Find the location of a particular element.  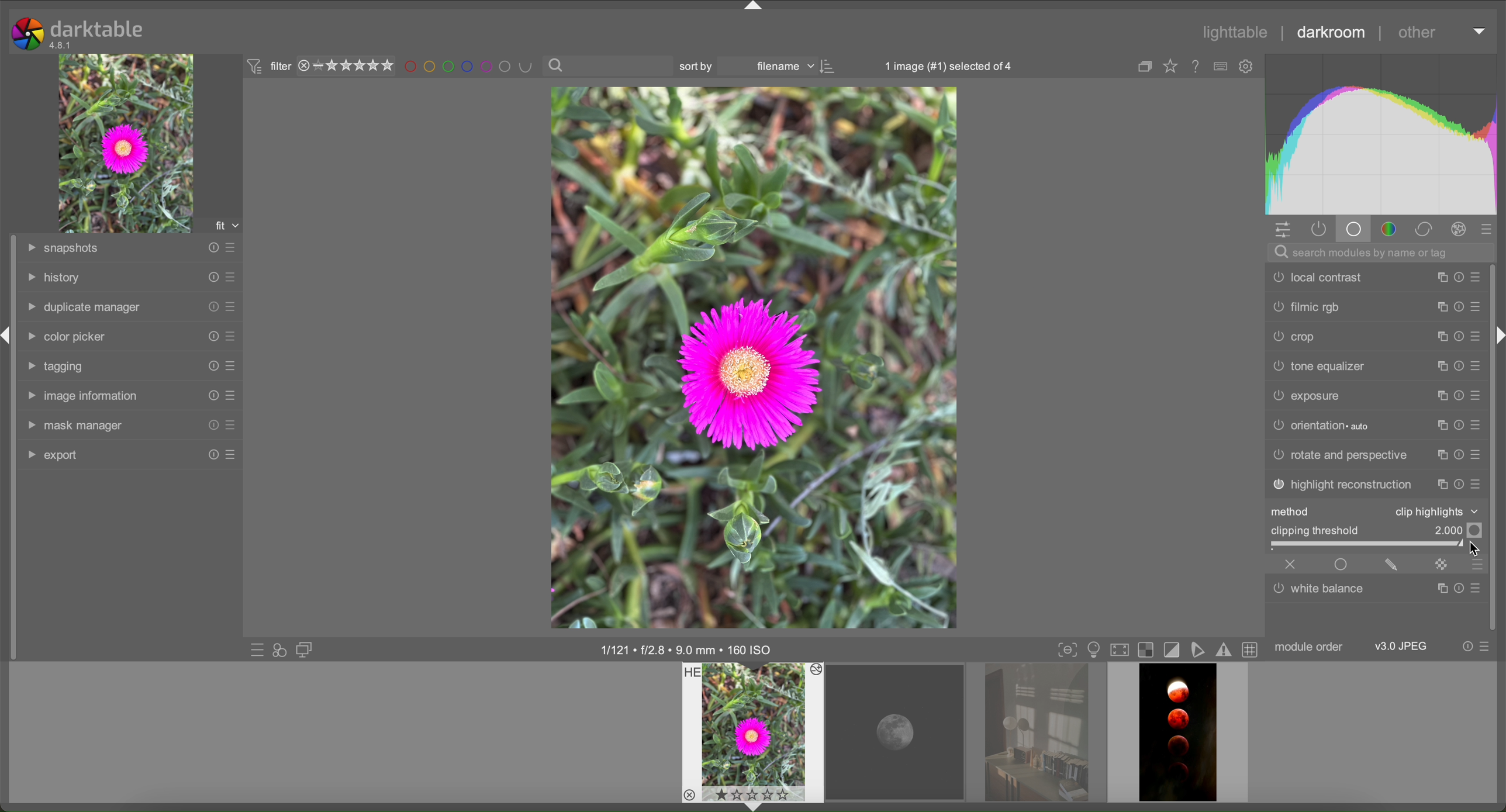

active modules is located at coordinates (1318, 229).